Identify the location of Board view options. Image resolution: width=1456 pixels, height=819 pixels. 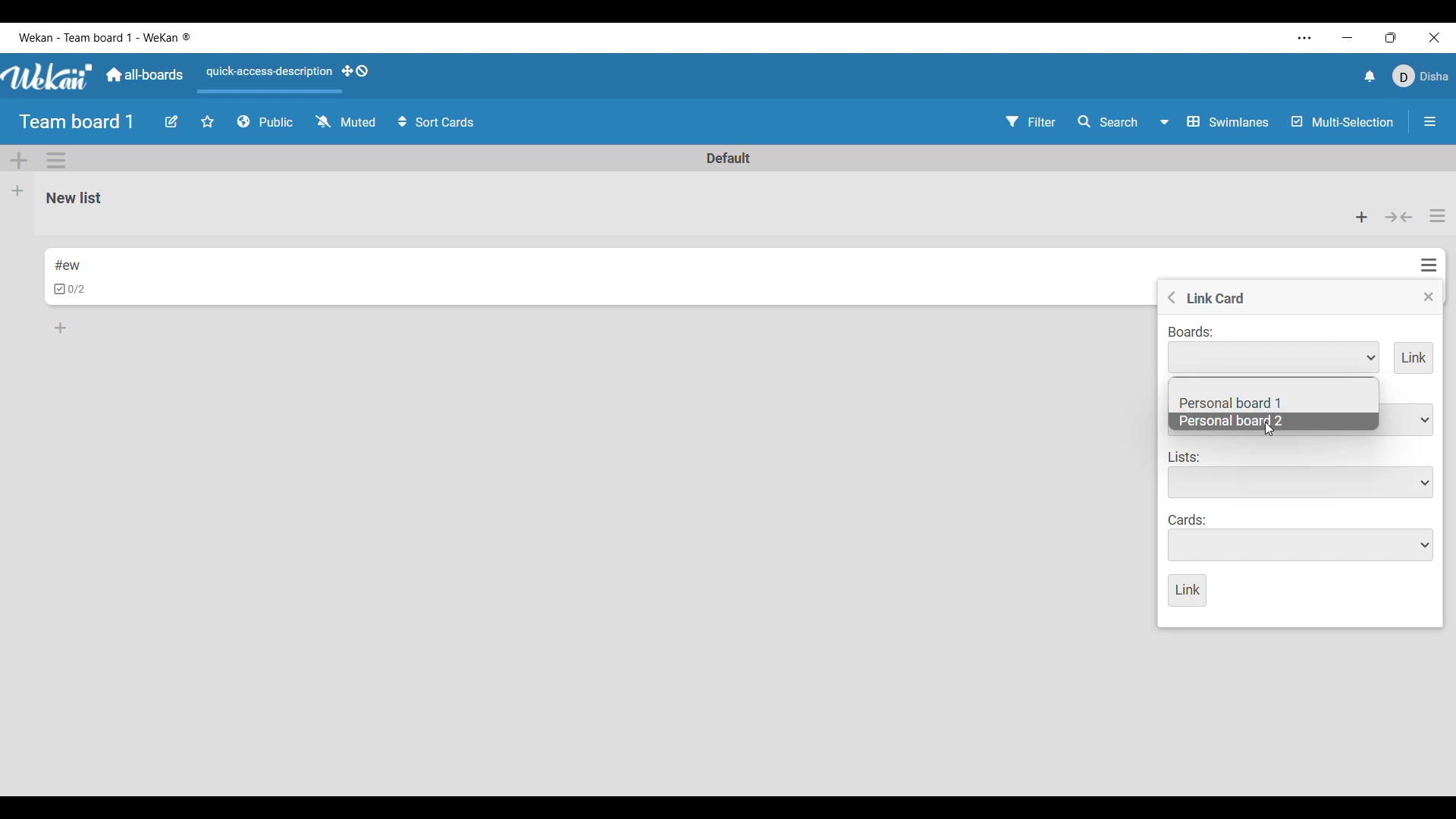
(1214, 121).